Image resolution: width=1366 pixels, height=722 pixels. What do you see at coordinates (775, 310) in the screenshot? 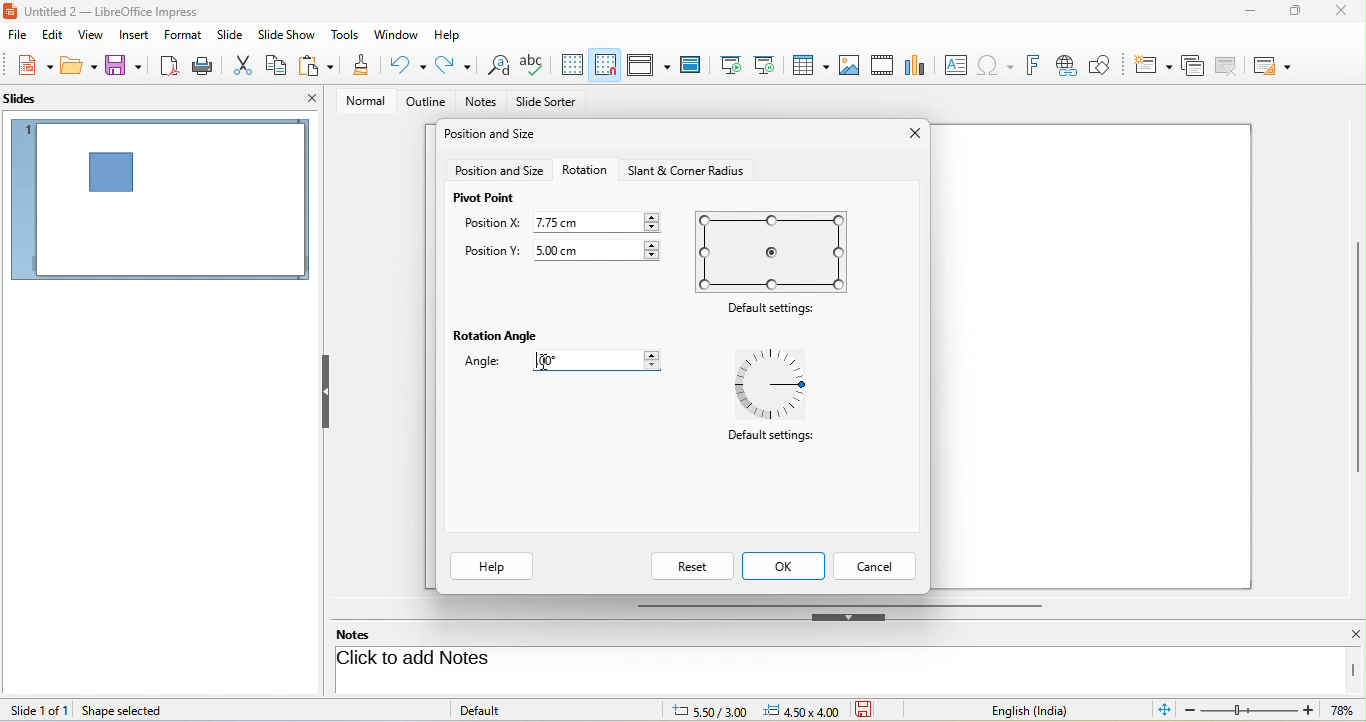
I see `default settings` at bounding box center [775, 310].